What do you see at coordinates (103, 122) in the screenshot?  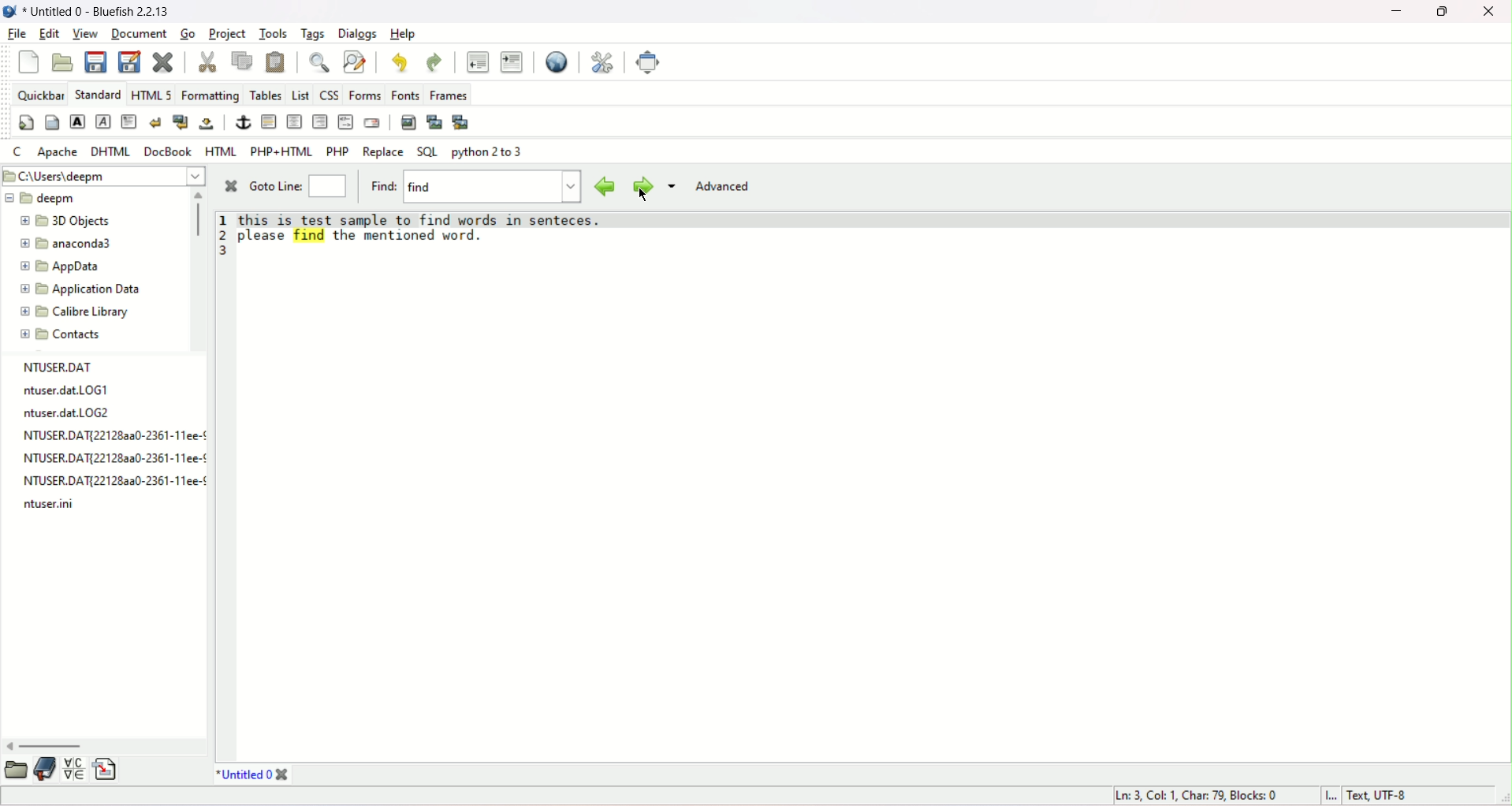 I see `emphasis` at bounding box center [103, 122].